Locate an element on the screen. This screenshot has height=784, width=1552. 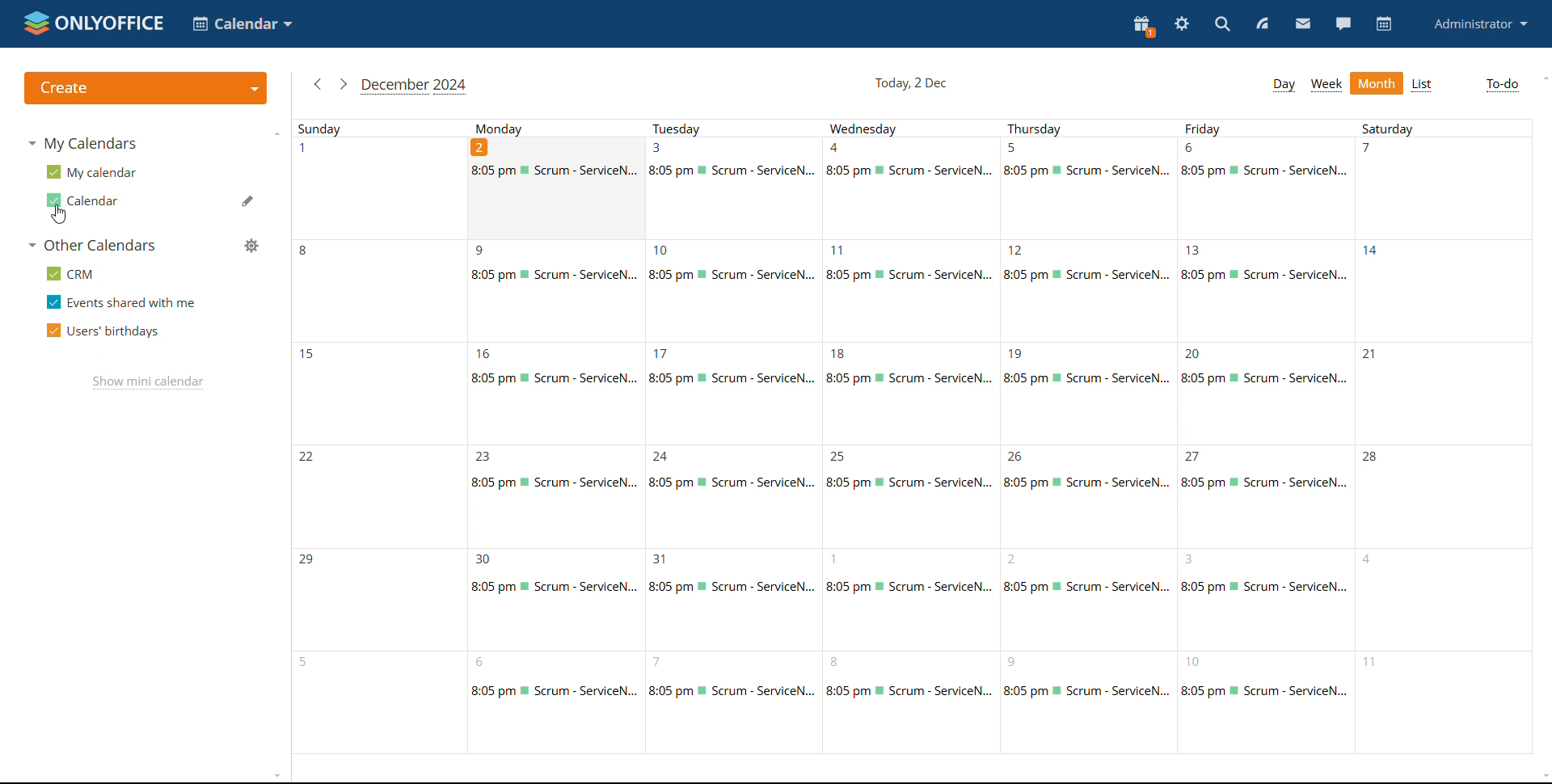
19 is located at coordinates (1089, 398).